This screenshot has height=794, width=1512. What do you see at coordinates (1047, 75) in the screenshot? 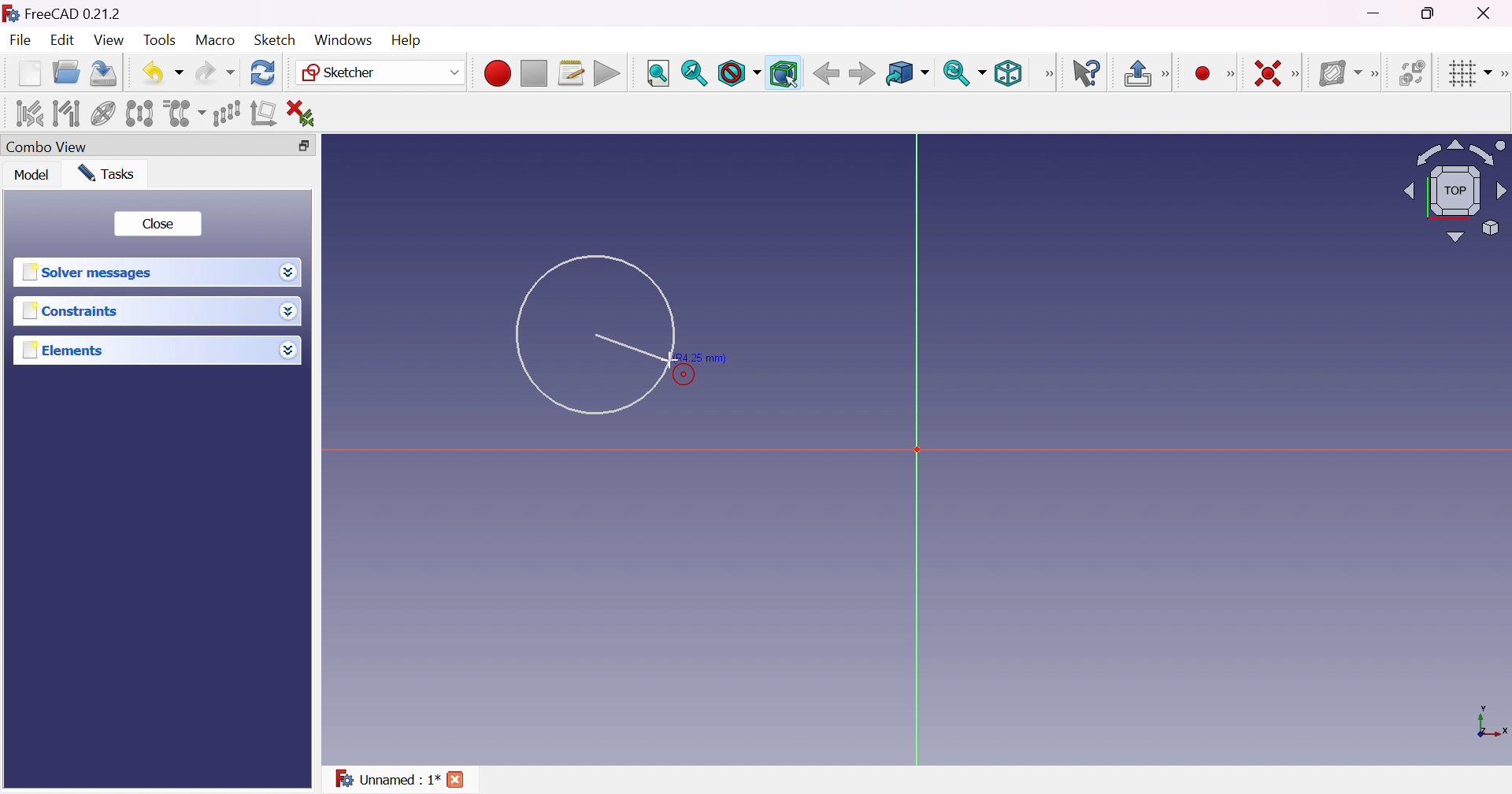
I see `[View]` at bounding box center [1047, 75].